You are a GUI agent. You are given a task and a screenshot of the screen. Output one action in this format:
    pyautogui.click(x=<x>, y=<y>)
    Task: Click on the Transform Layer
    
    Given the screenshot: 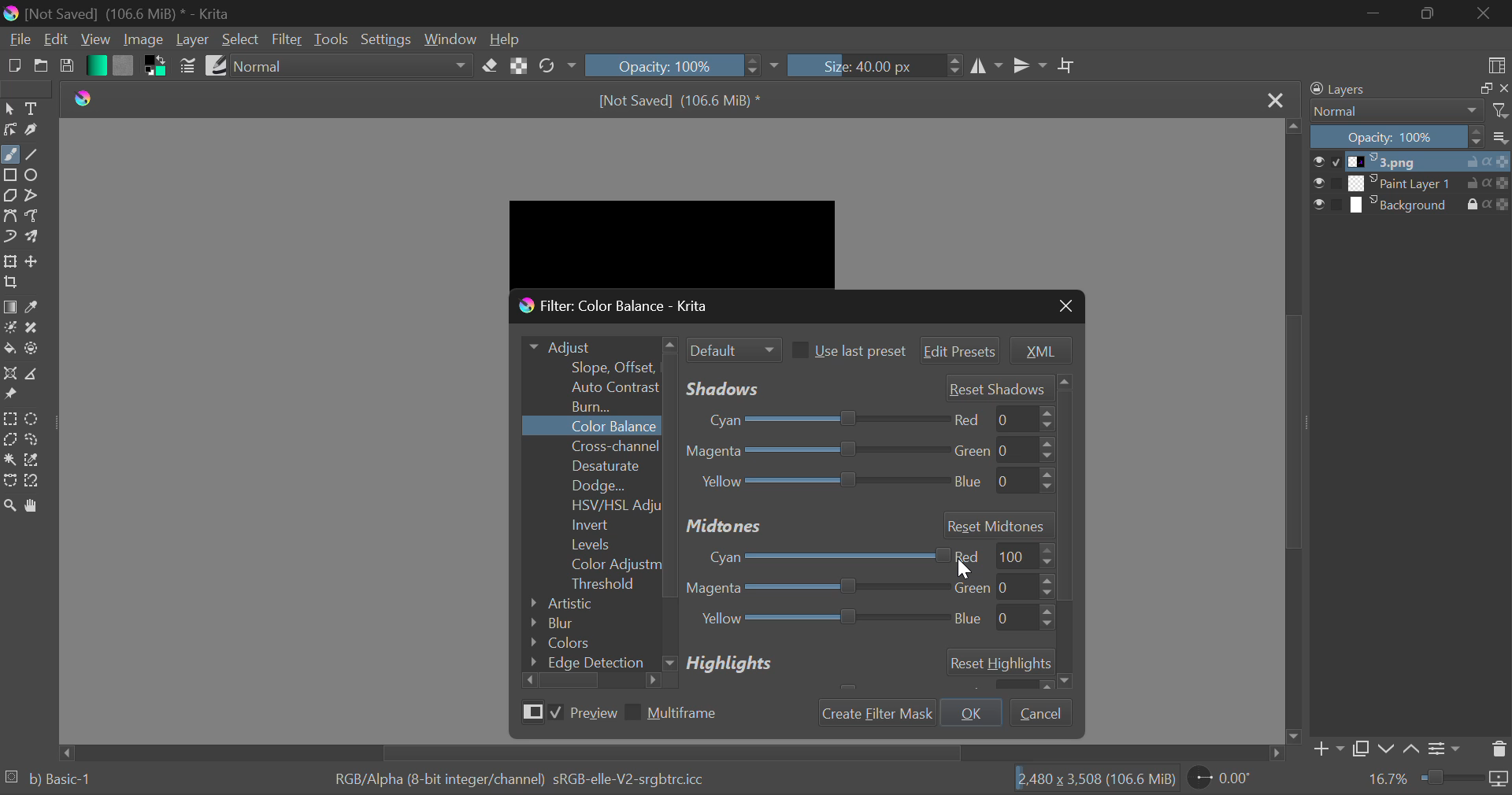 What is the action you would take?
    pyautogui.click(x=10, y=262)
    